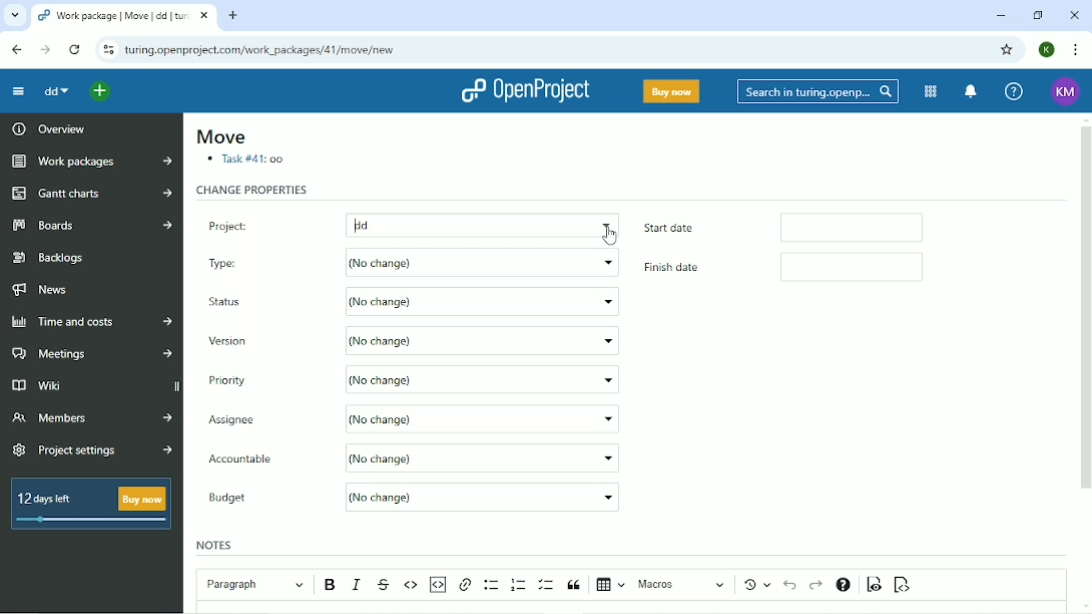 Image resolution: width=1092 pixels, height=614 pixels. What do you see at coordinates (862, 226) in the screenshot?
I see `empty box` at bounding box center [862, 226].